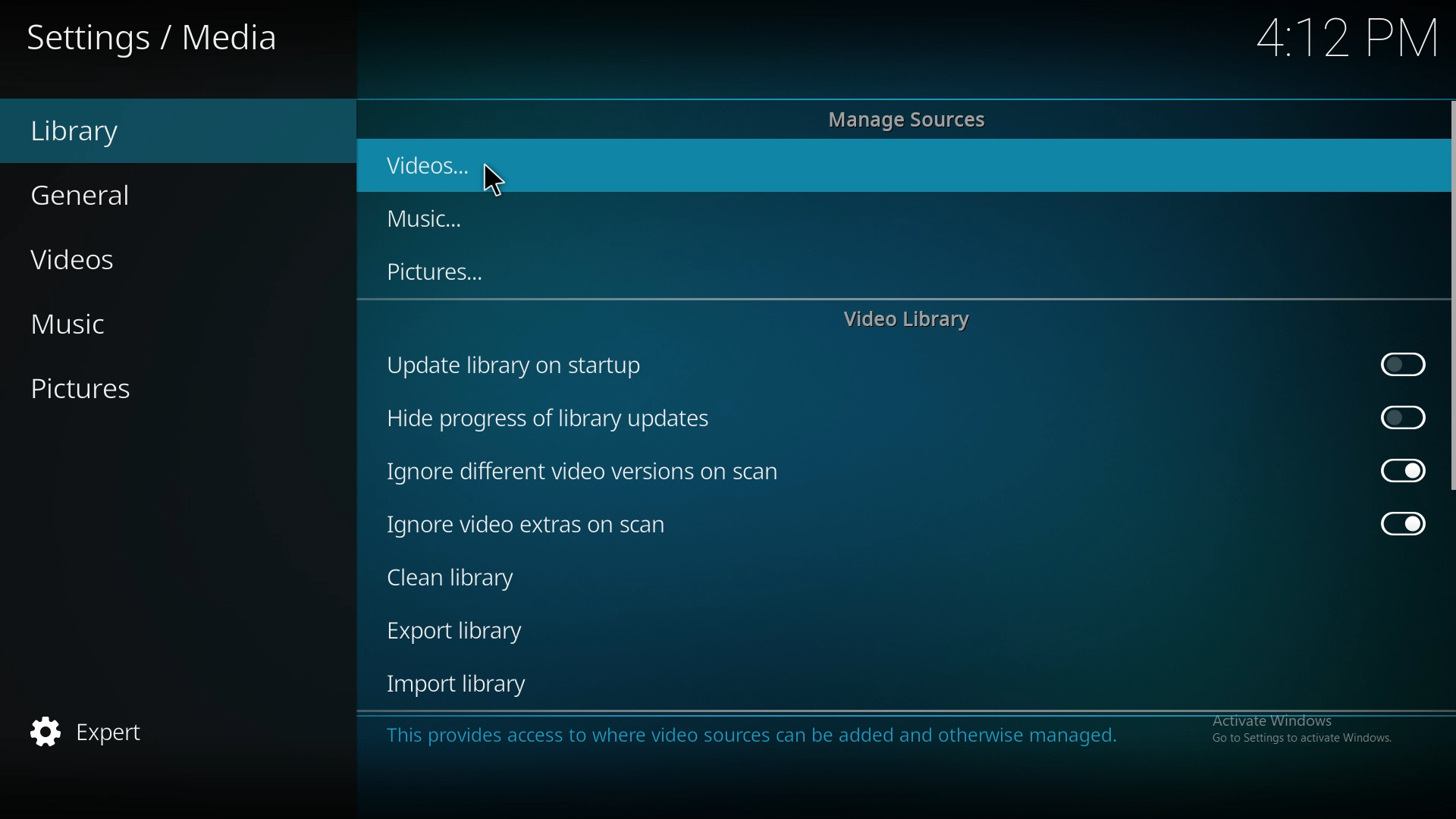 The height and width of the screenshot is (819, 1456). What do you see at coordinates (905, 121) in the screenshot?
I see `manage sources` at bounding box center [905, 121].